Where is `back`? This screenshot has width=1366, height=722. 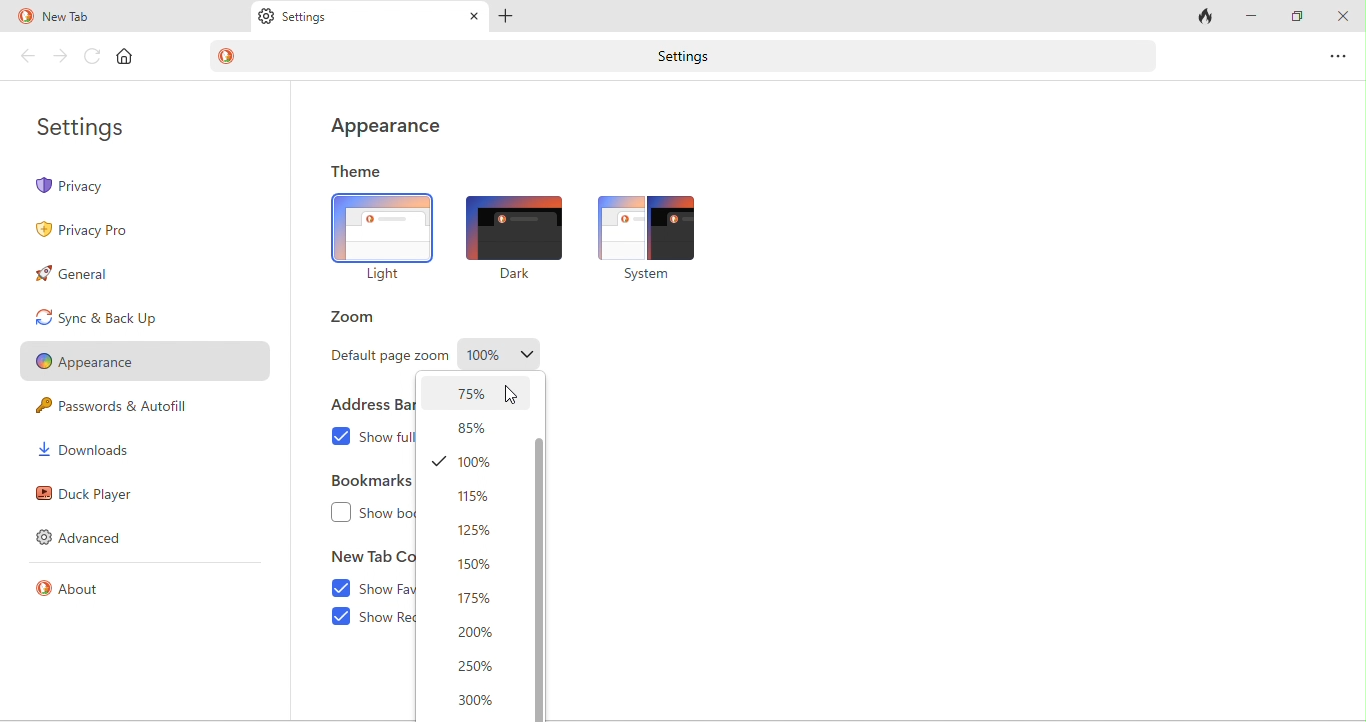 back is located at coordinates (29, 57).